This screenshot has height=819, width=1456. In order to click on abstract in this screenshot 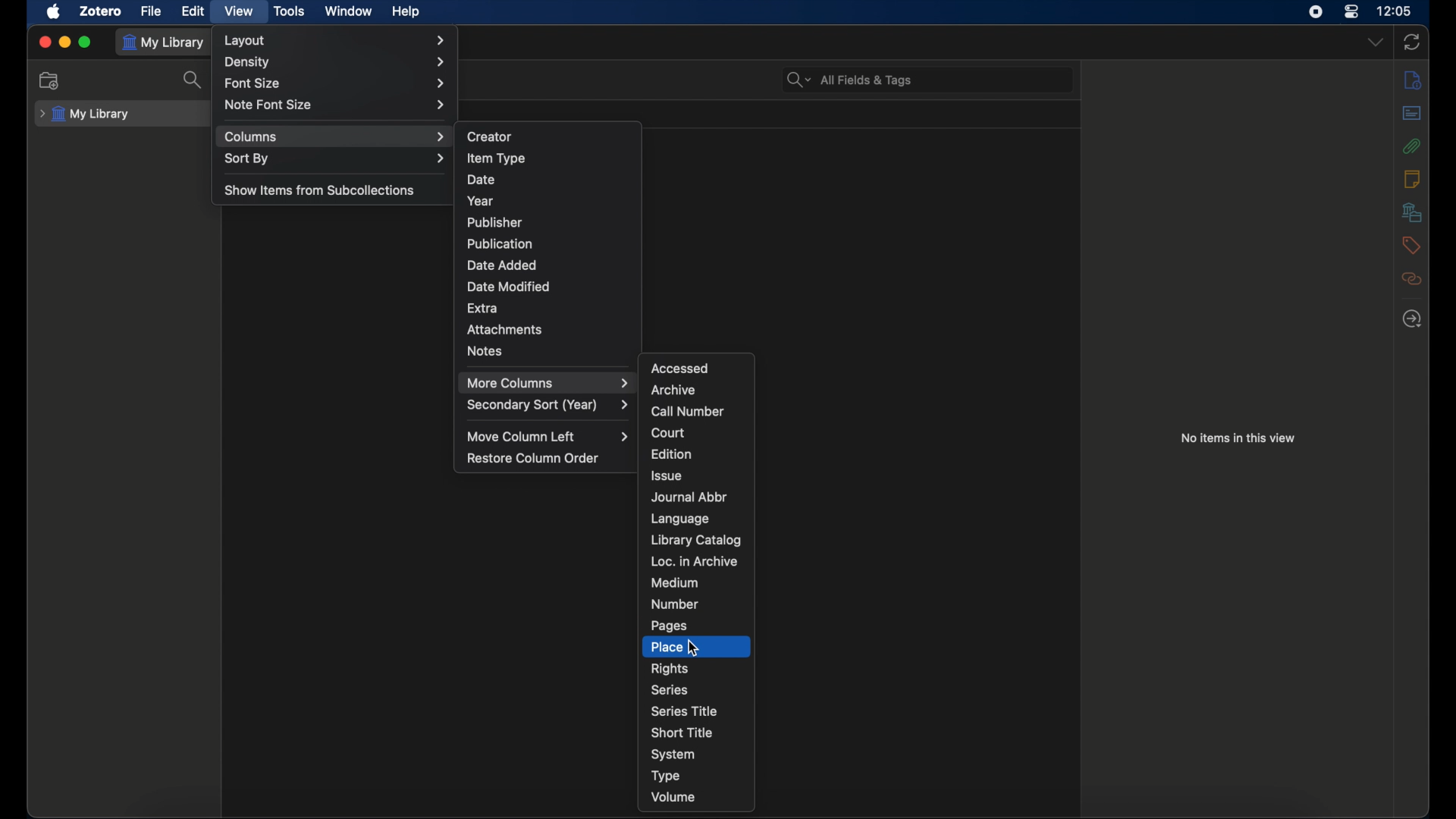, I will do `click(1411, 112)`.